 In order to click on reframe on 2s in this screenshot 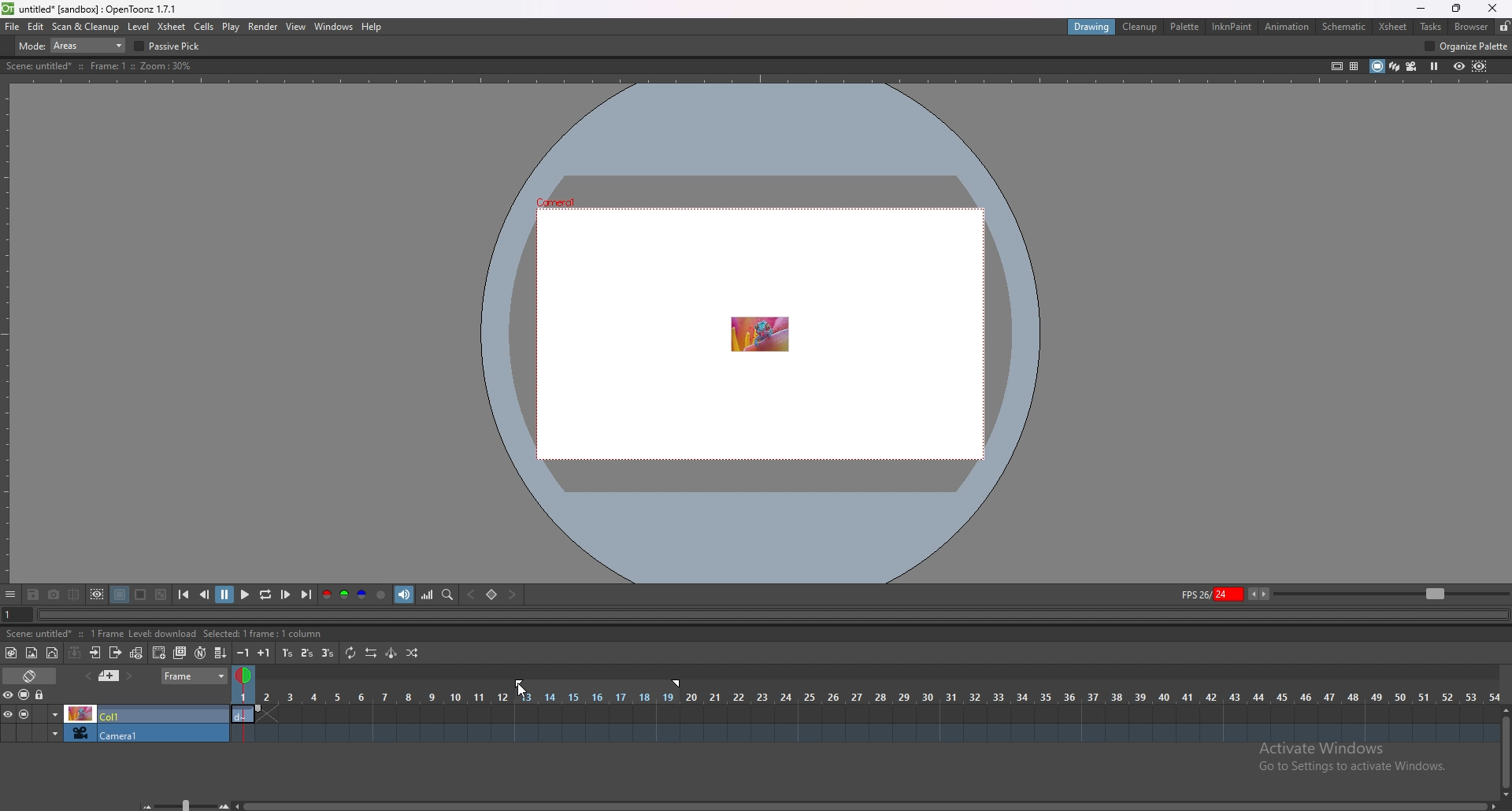, I will do `click(308, 653)`.